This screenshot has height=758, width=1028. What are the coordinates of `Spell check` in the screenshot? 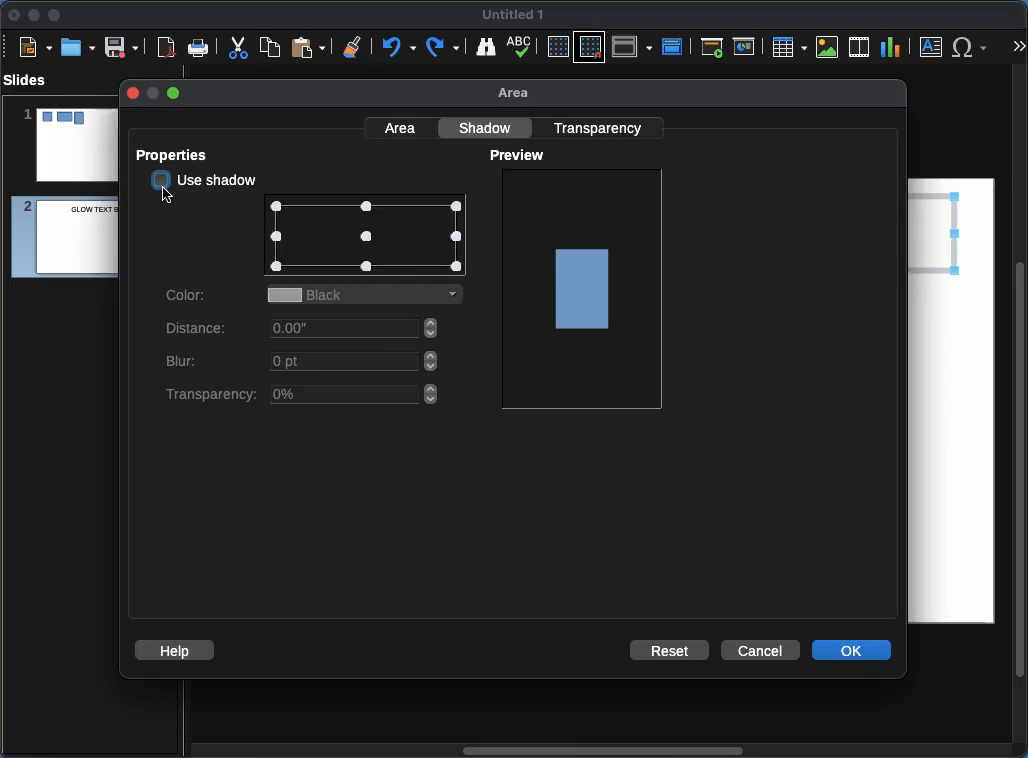 It's located at (521, 48).